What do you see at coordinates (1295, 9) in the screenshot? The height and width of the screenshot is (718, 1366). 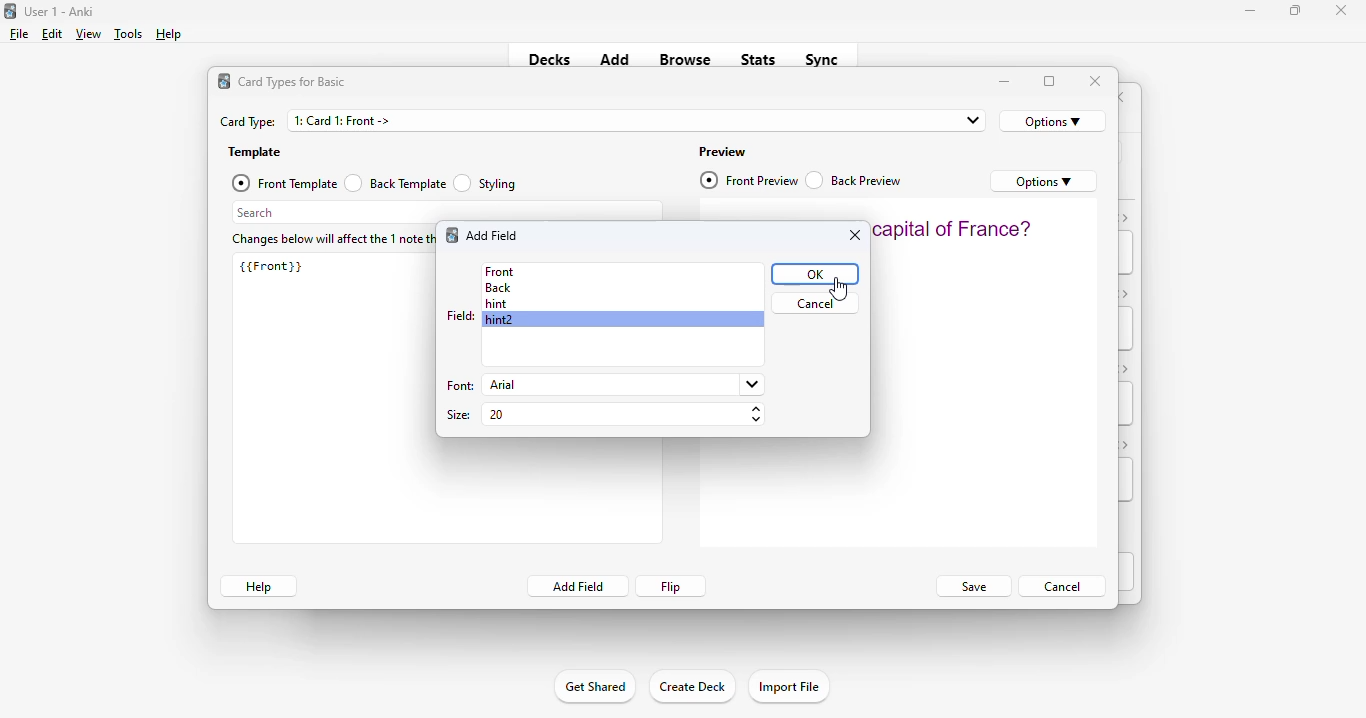 I see `maximize` at bounding box center [1295, 9].